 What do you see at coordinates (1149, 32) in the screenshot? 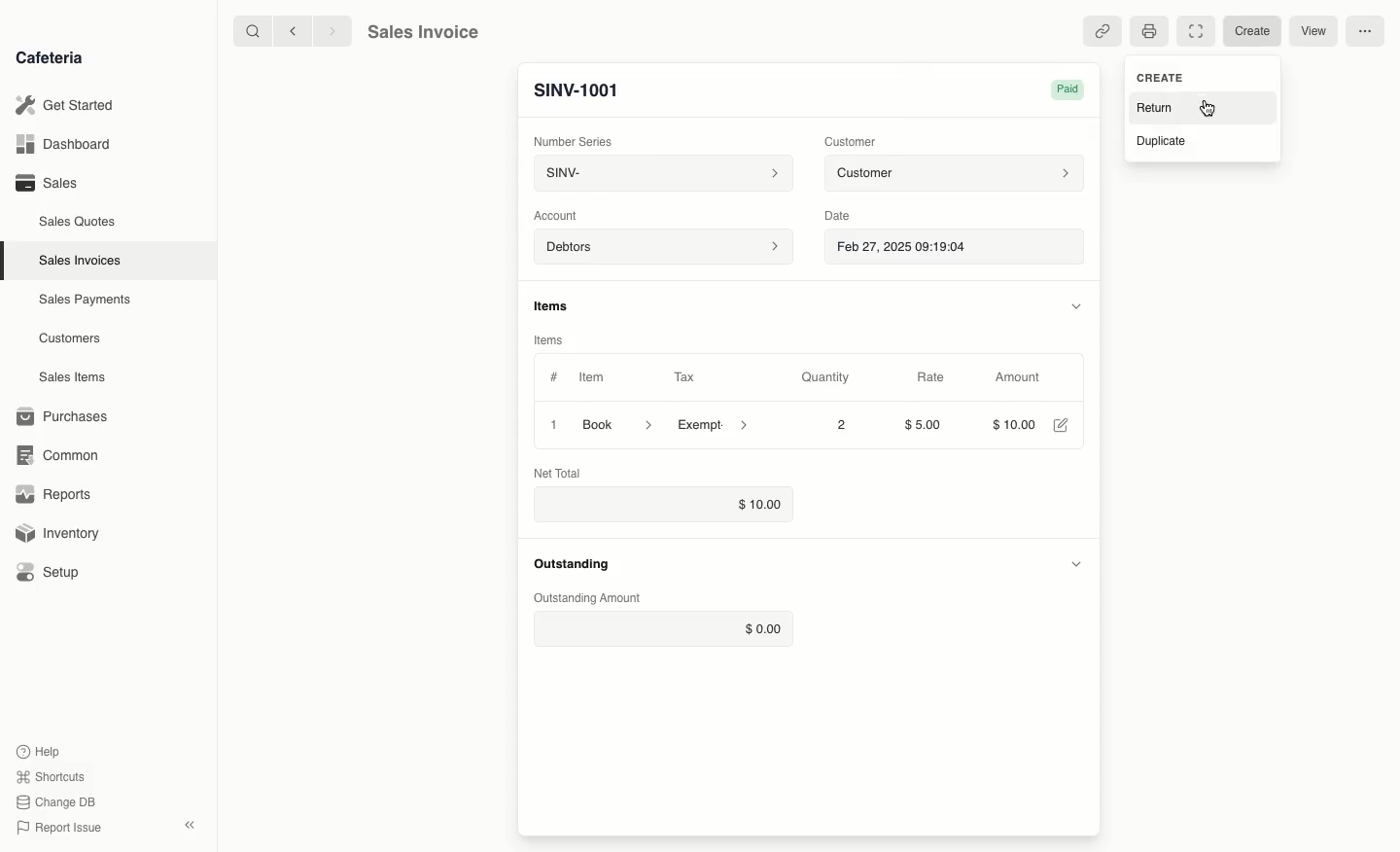
I see `Print` at bounding box center [1149, 32].